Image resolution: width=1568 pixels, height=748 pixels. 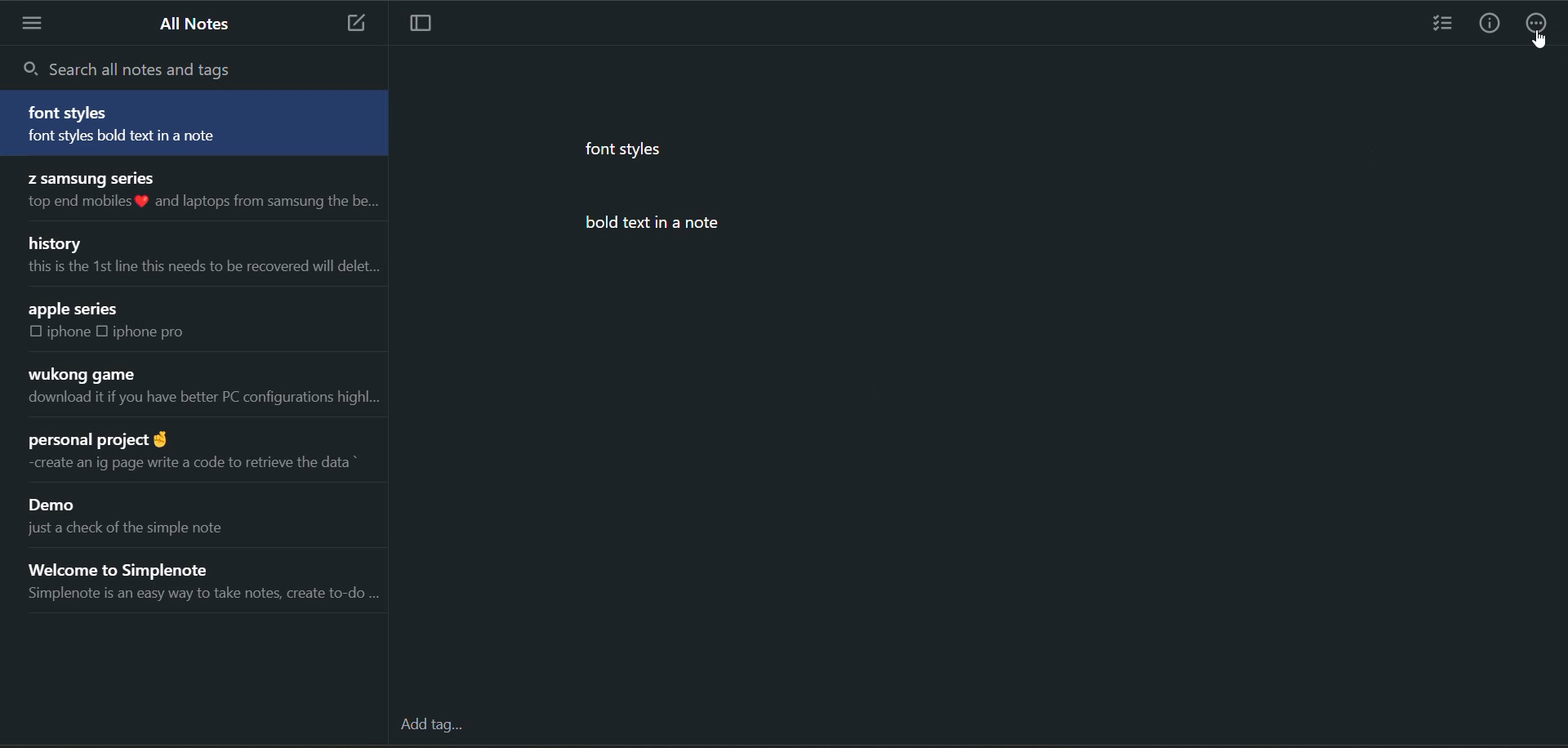 What do you see at coordinates (1537, 26) in the screenshot?
I see `actions` at bounding box center [1537, 26].